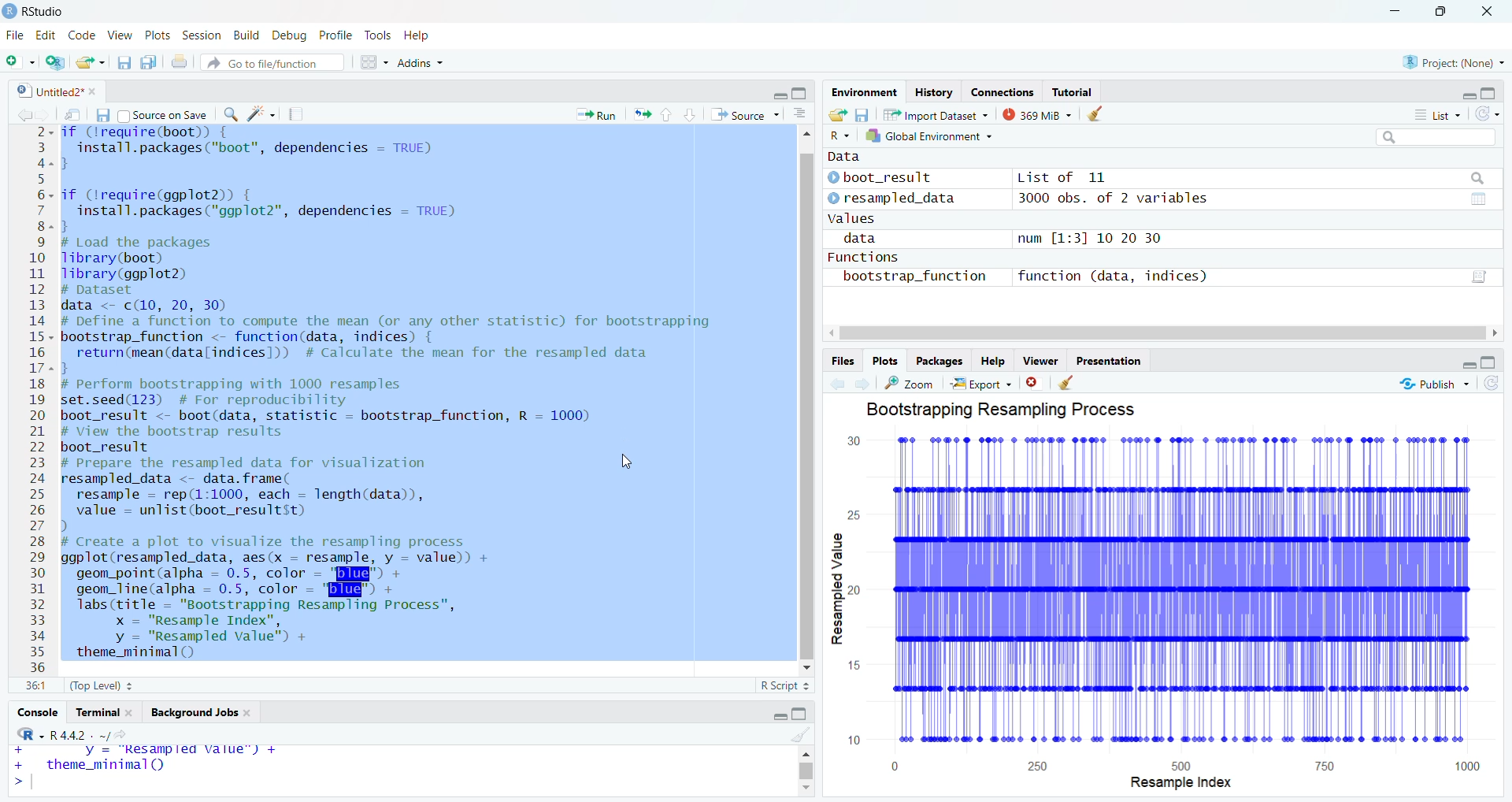 This screenshot has height=802, width=1512. Describe the element at coordinates (995, 408) in the screenshot. I see `Bootstrapping Resampling Process` at that location.